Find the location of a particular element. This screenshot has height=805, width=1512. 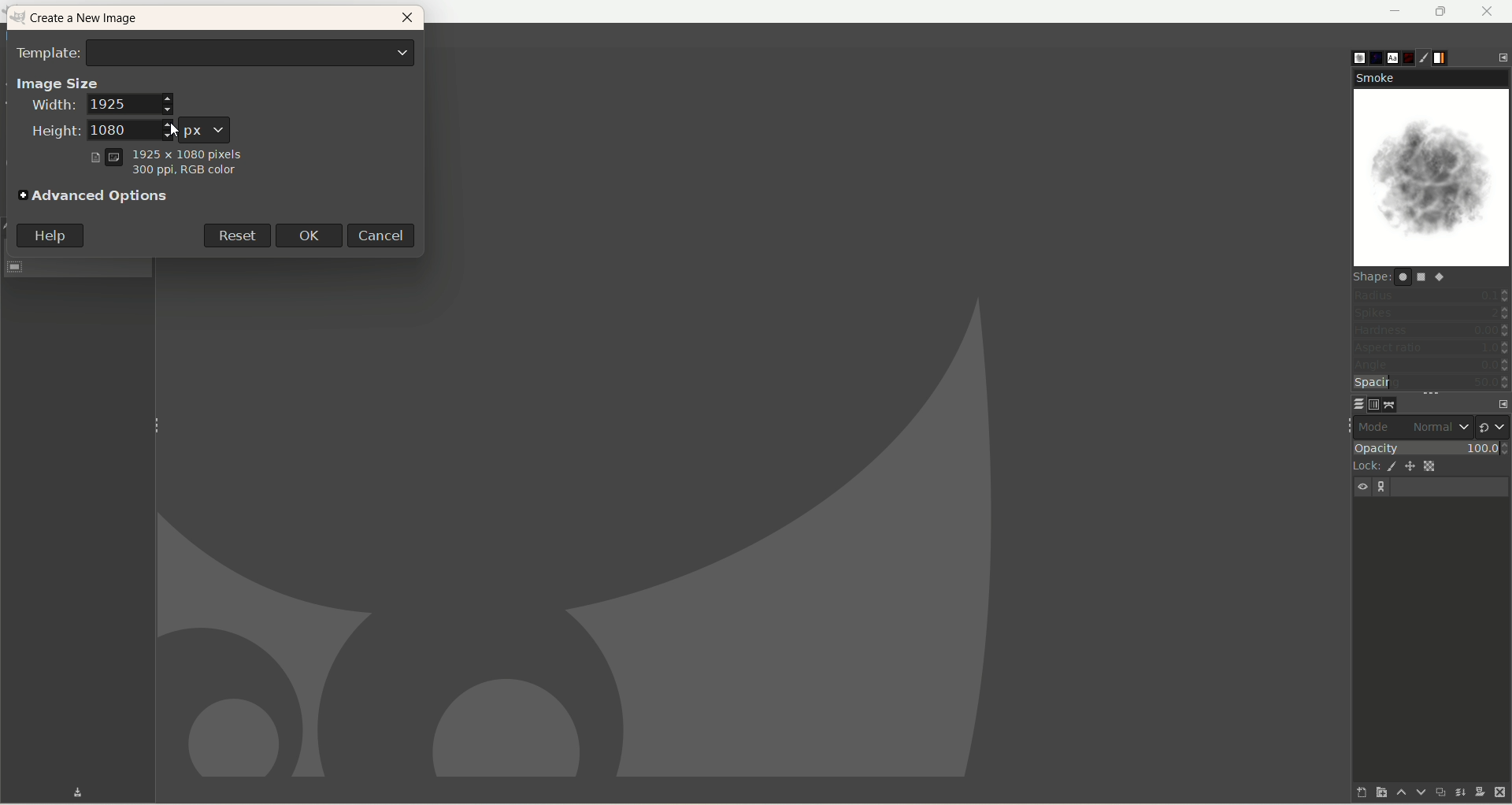

minimize is located at coordinates (1396, 11).